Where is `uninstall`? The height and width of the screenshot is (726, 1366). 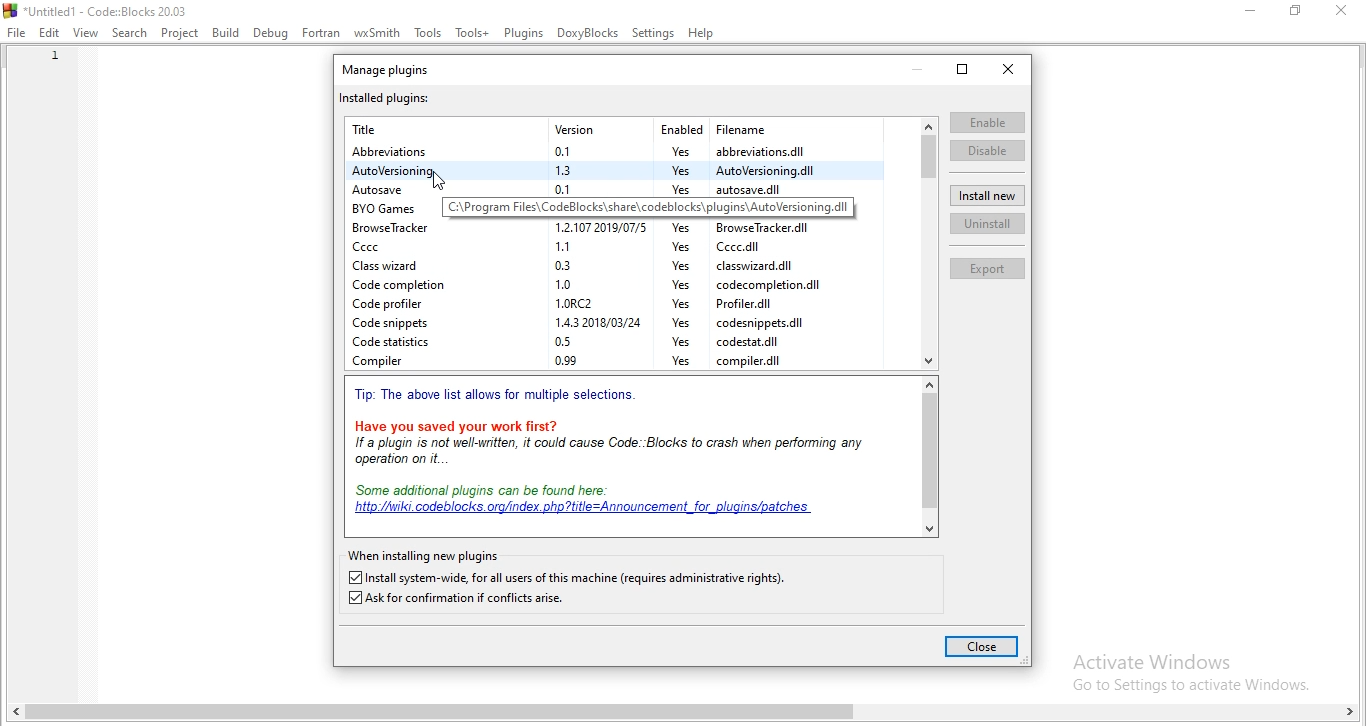
uninstall is located at coordinates (985, 225).